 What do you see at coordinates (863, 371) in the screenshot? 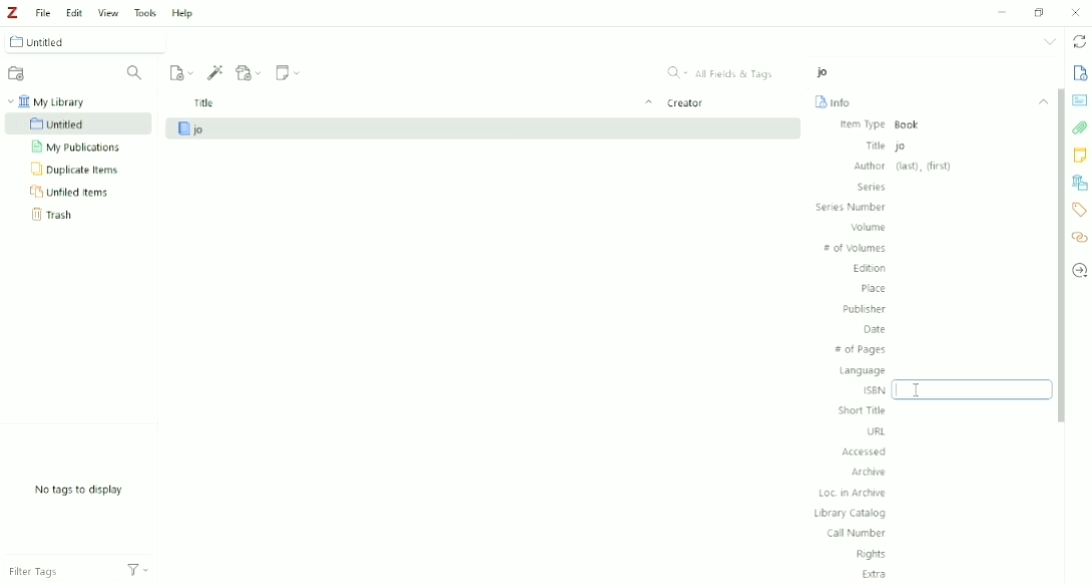
I see `Language` at bounding box center [863, 371].